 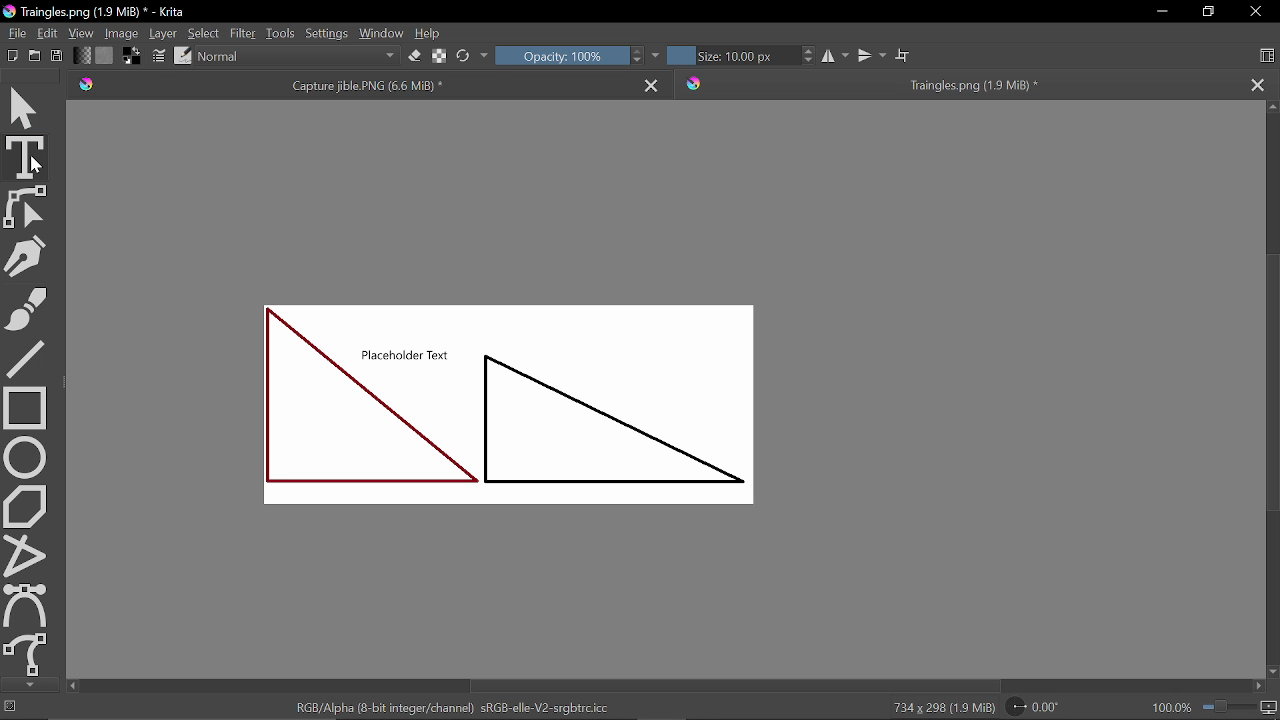 I want to click on Minimize, so click(x=1158, y=12).